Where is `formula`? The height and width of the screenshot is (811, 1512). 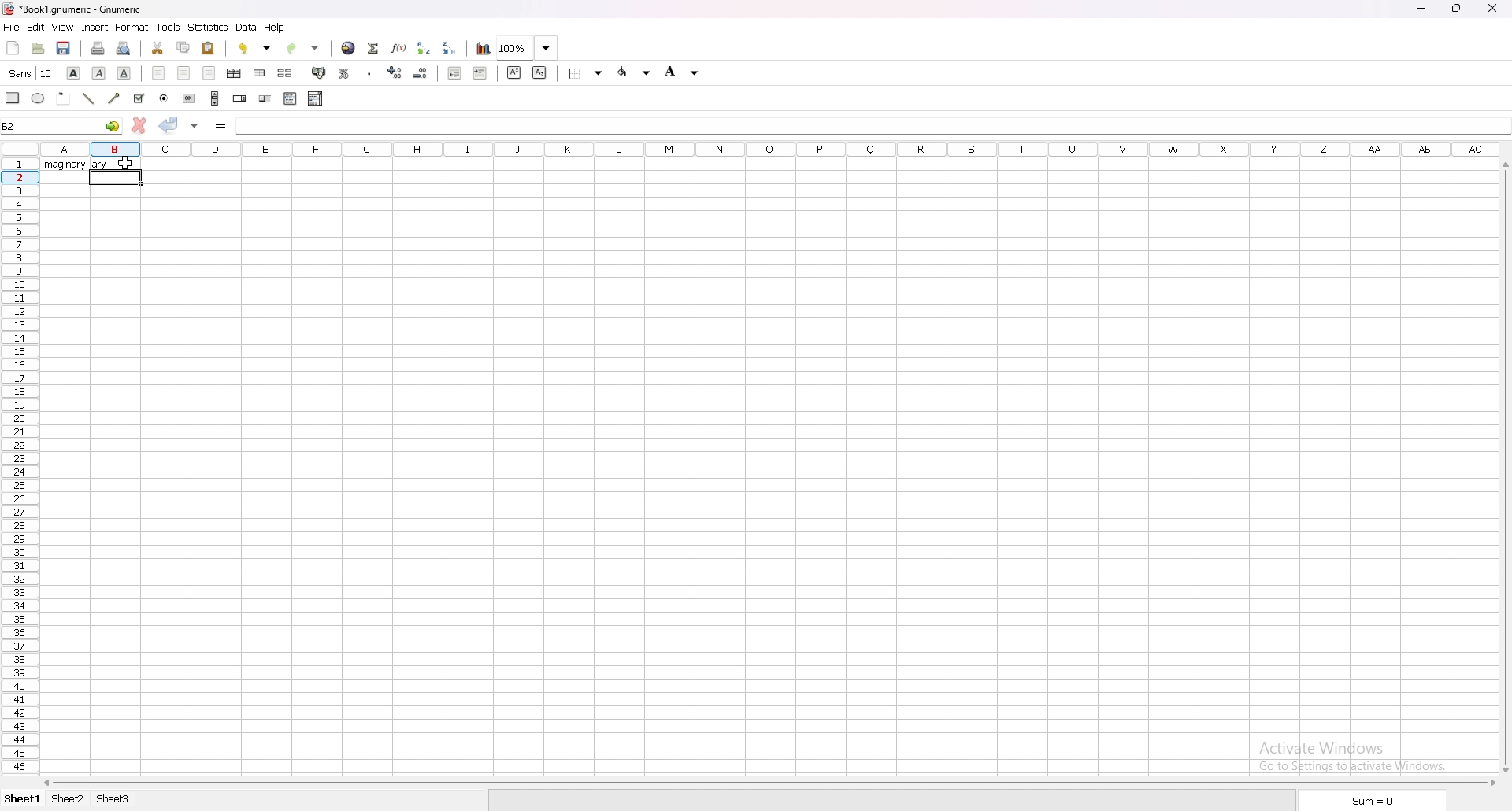
formula is located at coordinates (220, 127).